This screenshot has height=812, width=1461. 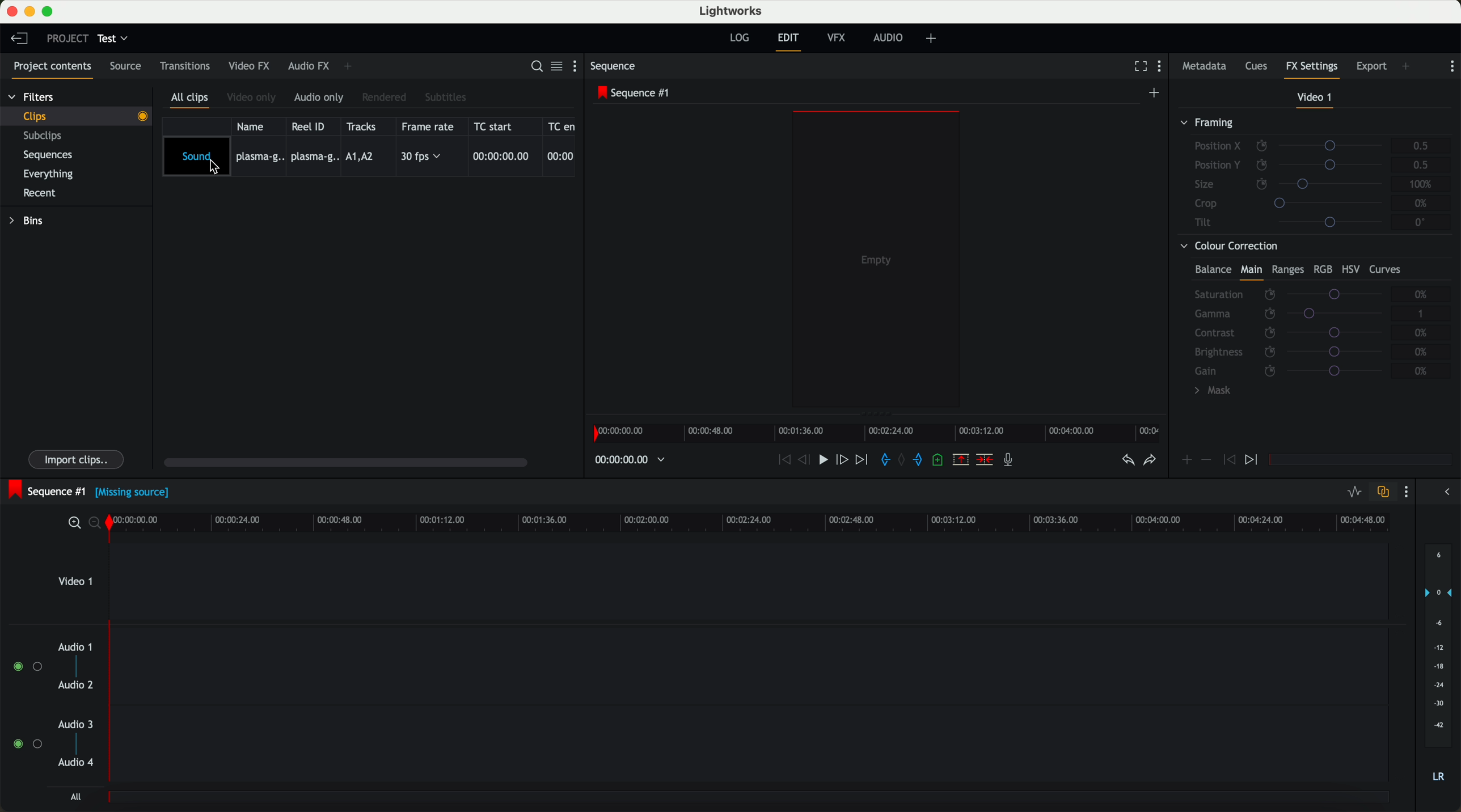 What do you see at coordinates (758, 523) in the screenshot?
I see `timeline` at bounding box center [758, 523].